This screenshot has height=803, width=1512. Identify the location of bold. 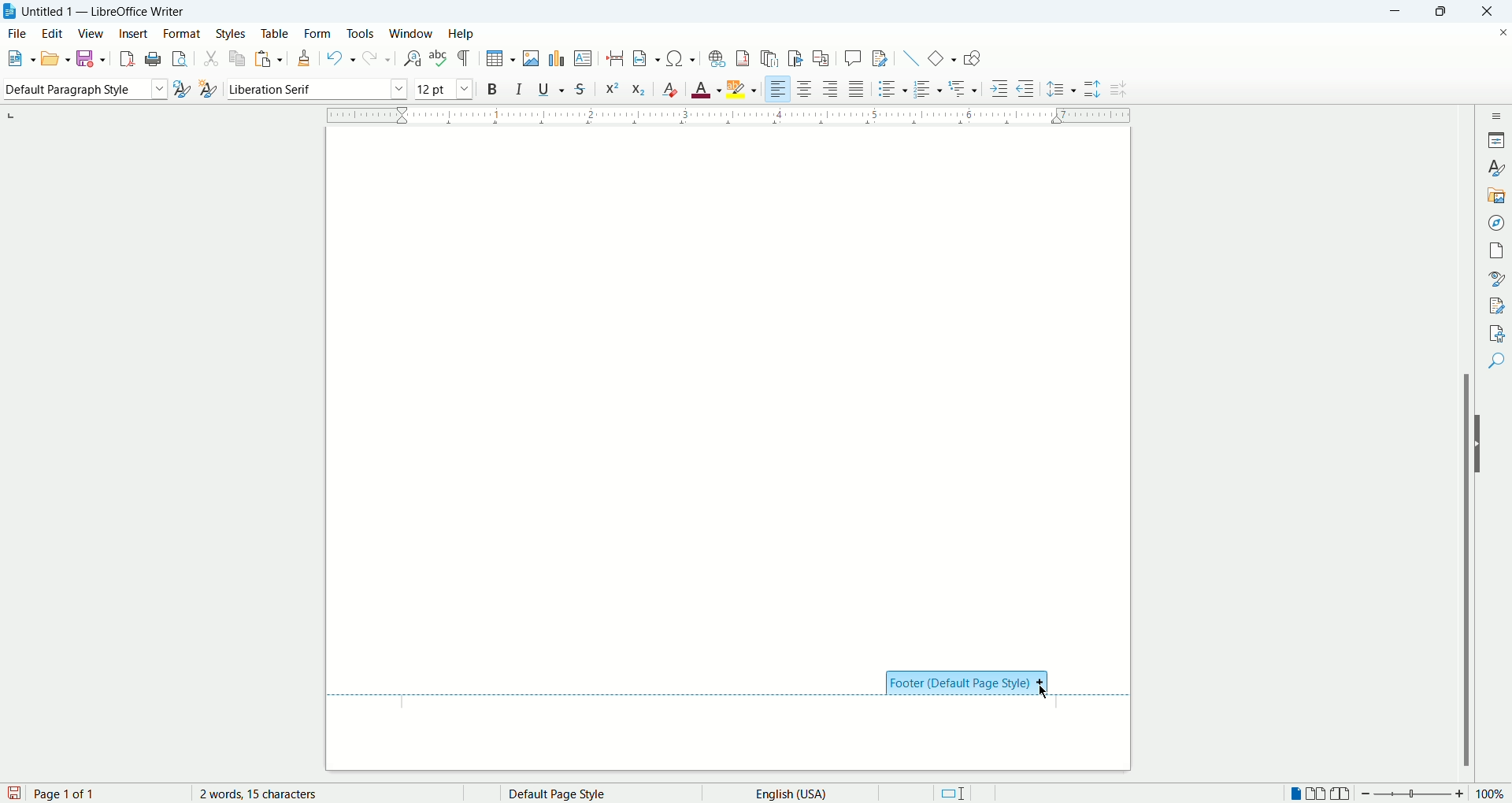
(492, 88).